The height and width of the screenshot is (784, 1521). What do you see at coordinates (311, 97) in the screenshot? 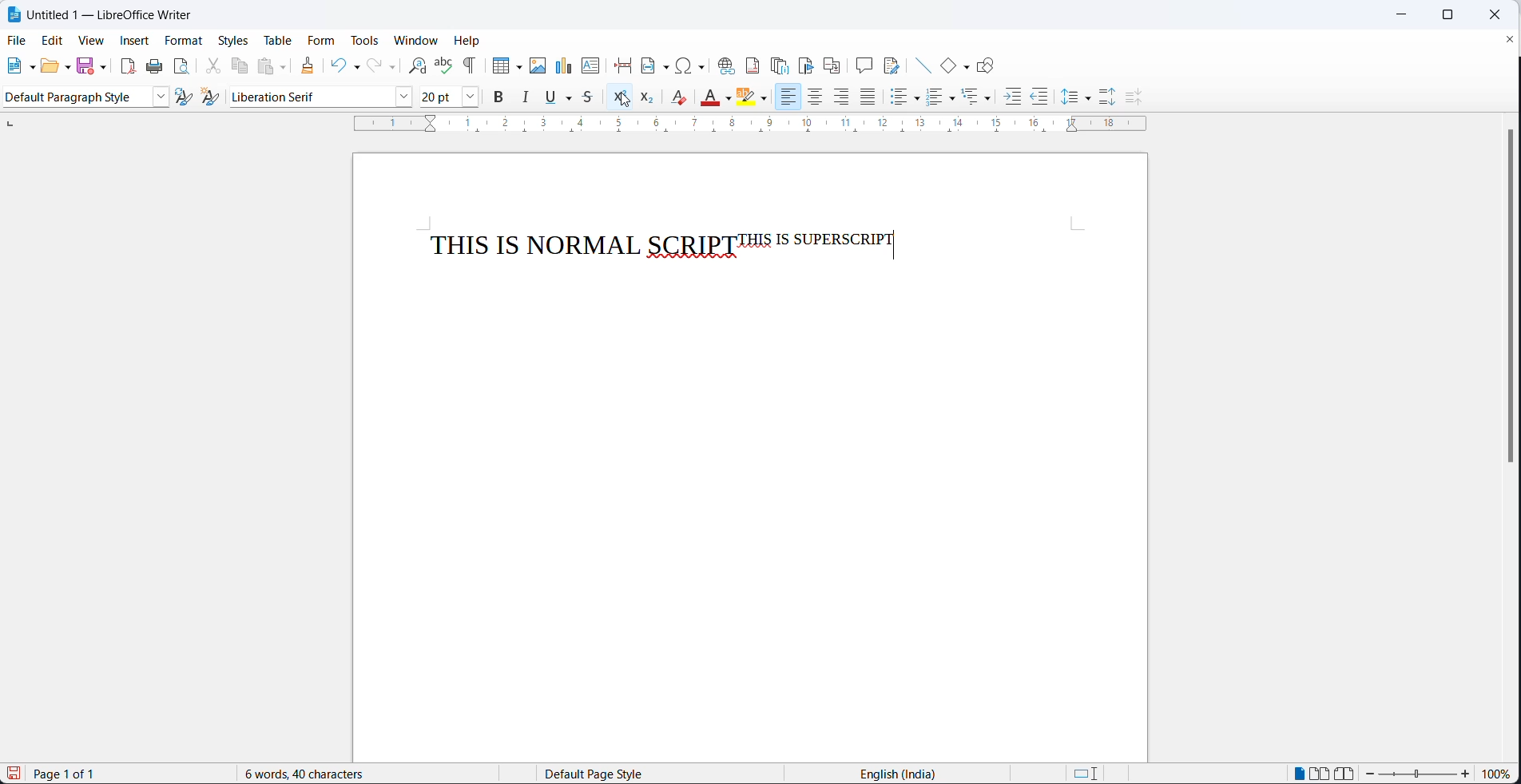
I see `font name` at bounding box center [311, 97].